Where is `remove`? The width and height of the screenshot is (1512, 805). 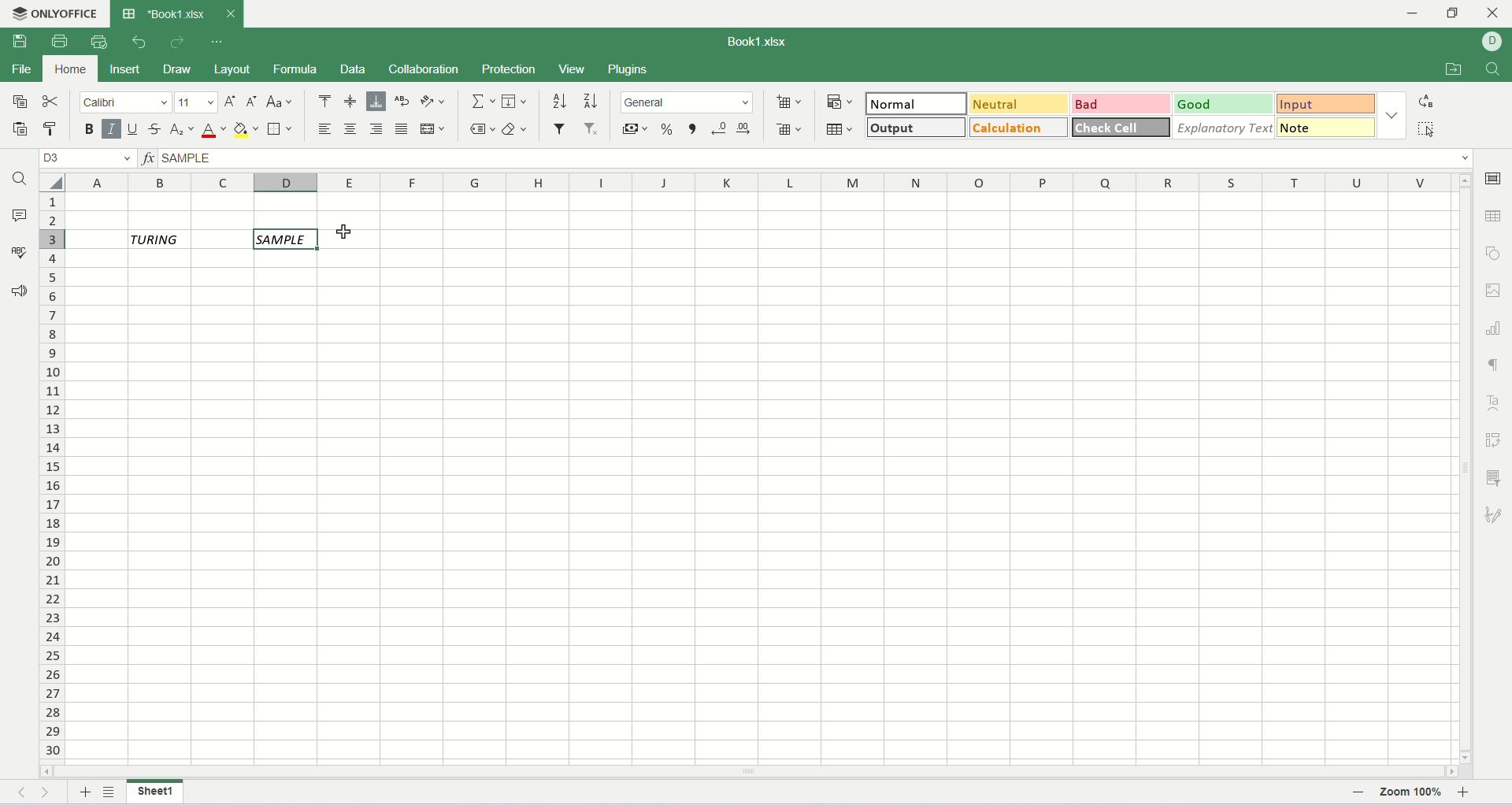
remove is located at coordinates (593, 129).